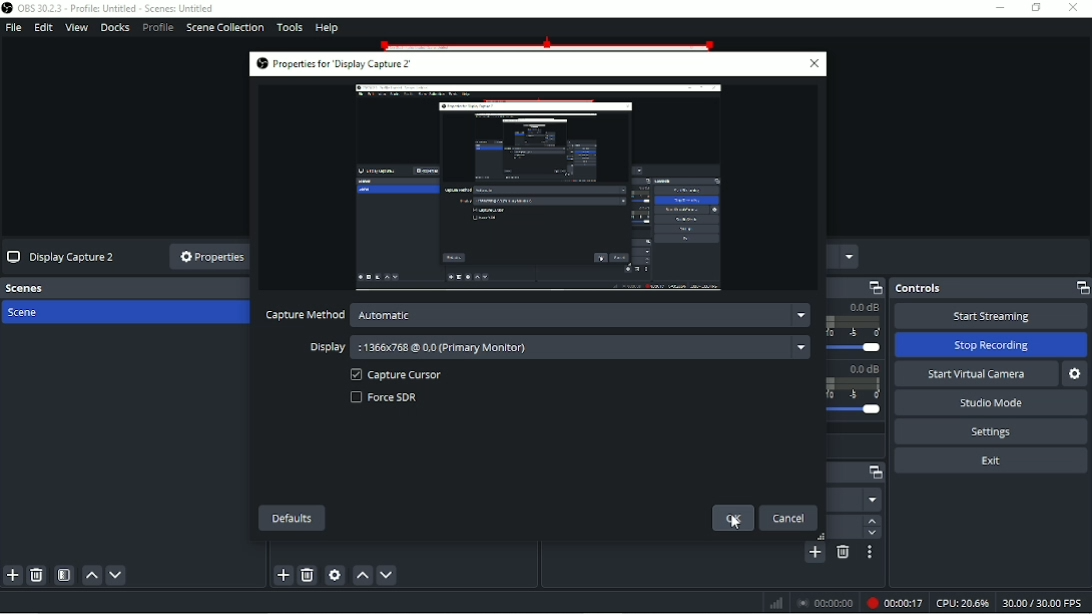  What do you see at coordinates (990, 431) in the screenshot?
I see `Settings` at bounding box center [990, 431].